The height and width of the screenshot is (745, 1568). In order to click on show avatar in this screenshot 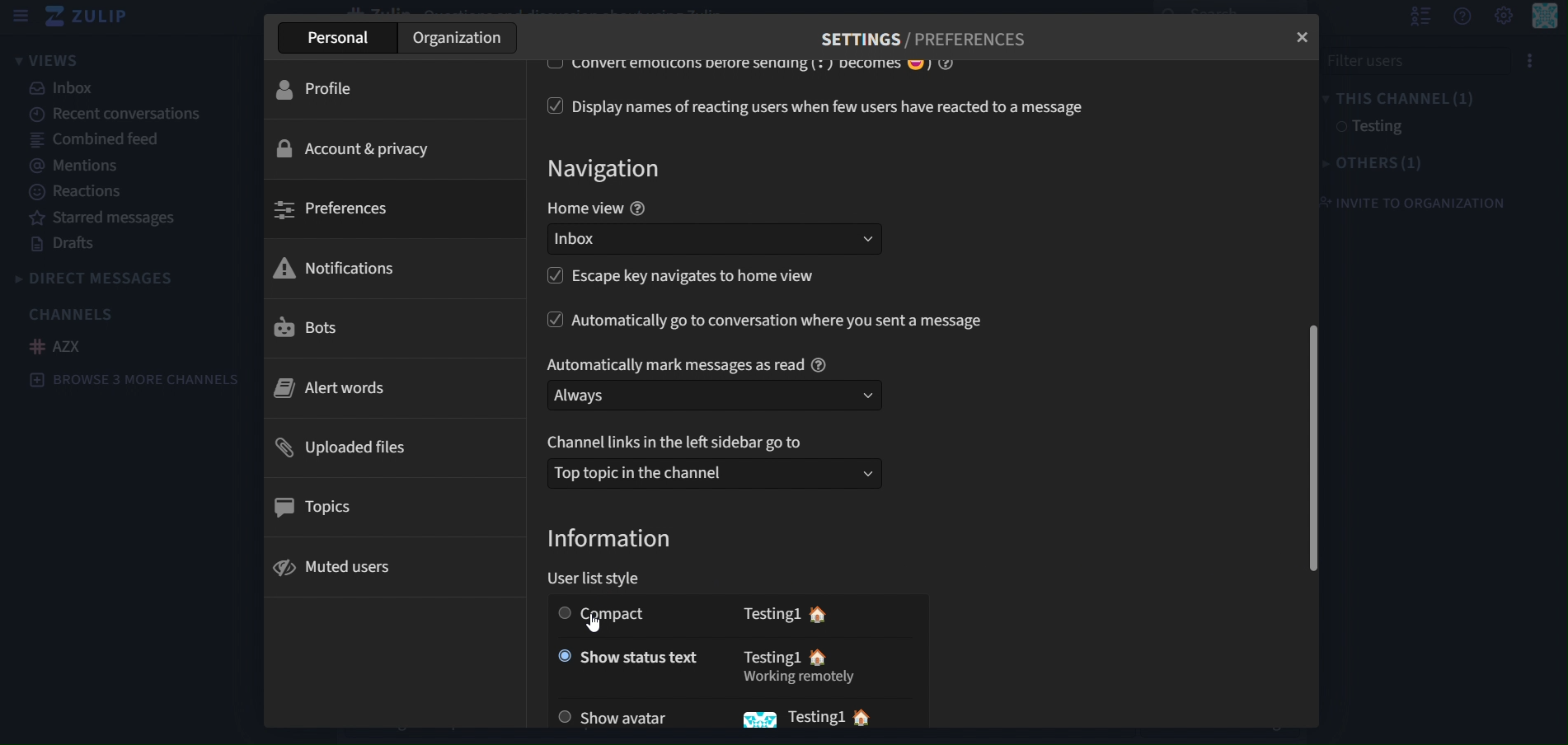, I will do `click(619, 716)`.